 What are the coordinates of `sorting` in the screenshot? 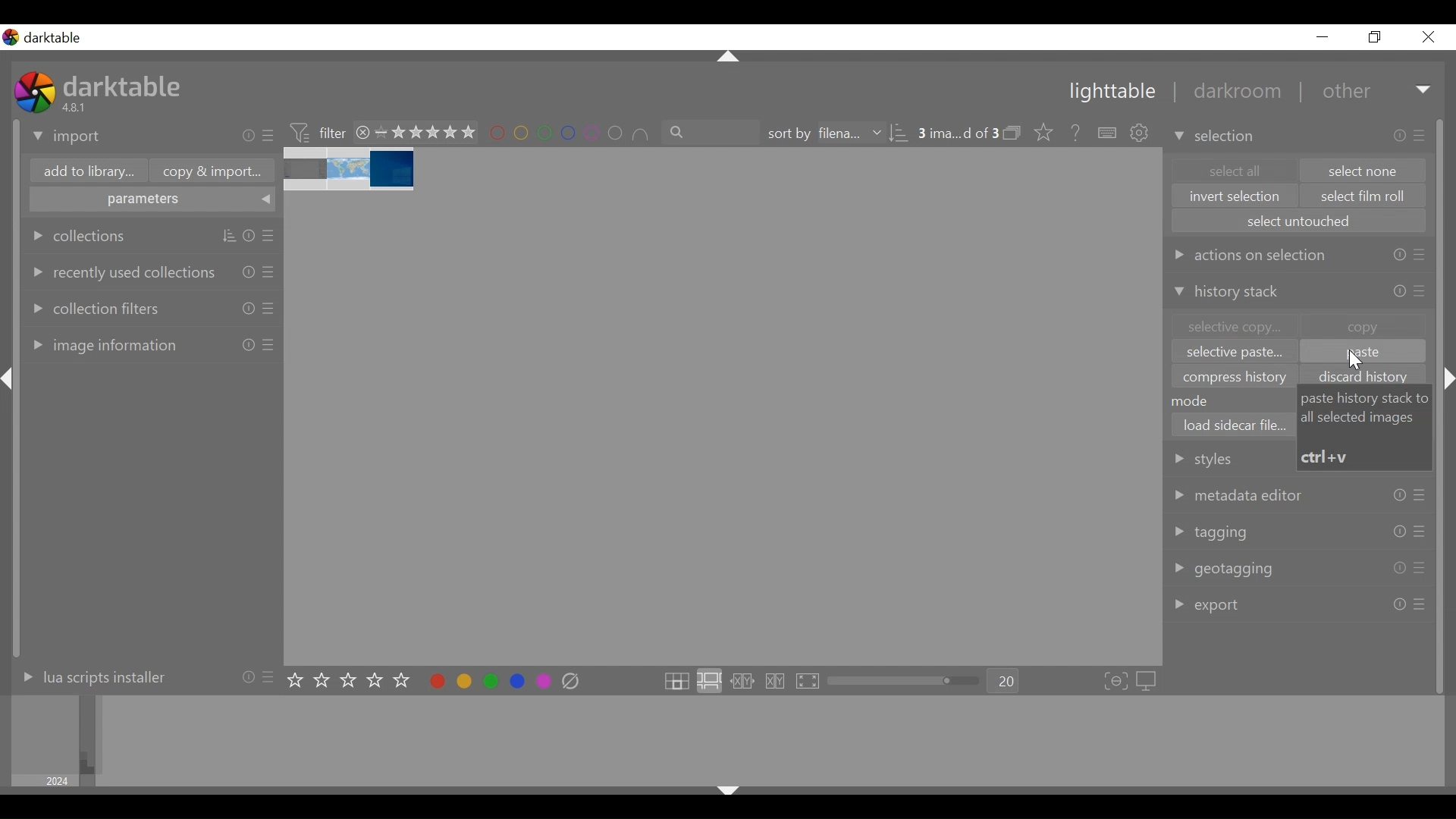 It's located at (899, 133).